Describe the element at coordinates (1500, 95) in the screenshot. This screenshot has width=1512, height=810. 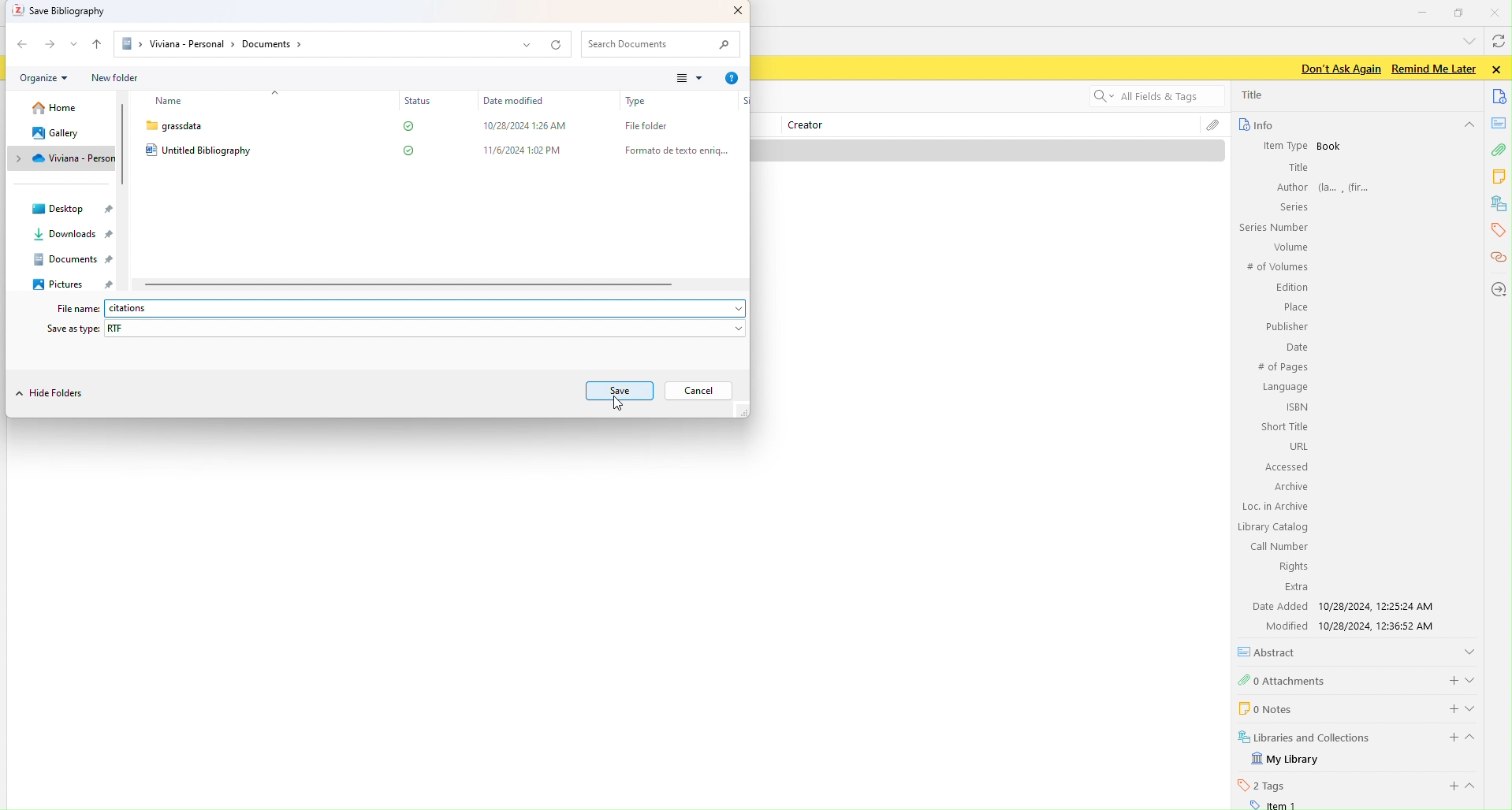
I see `documents` at that location.